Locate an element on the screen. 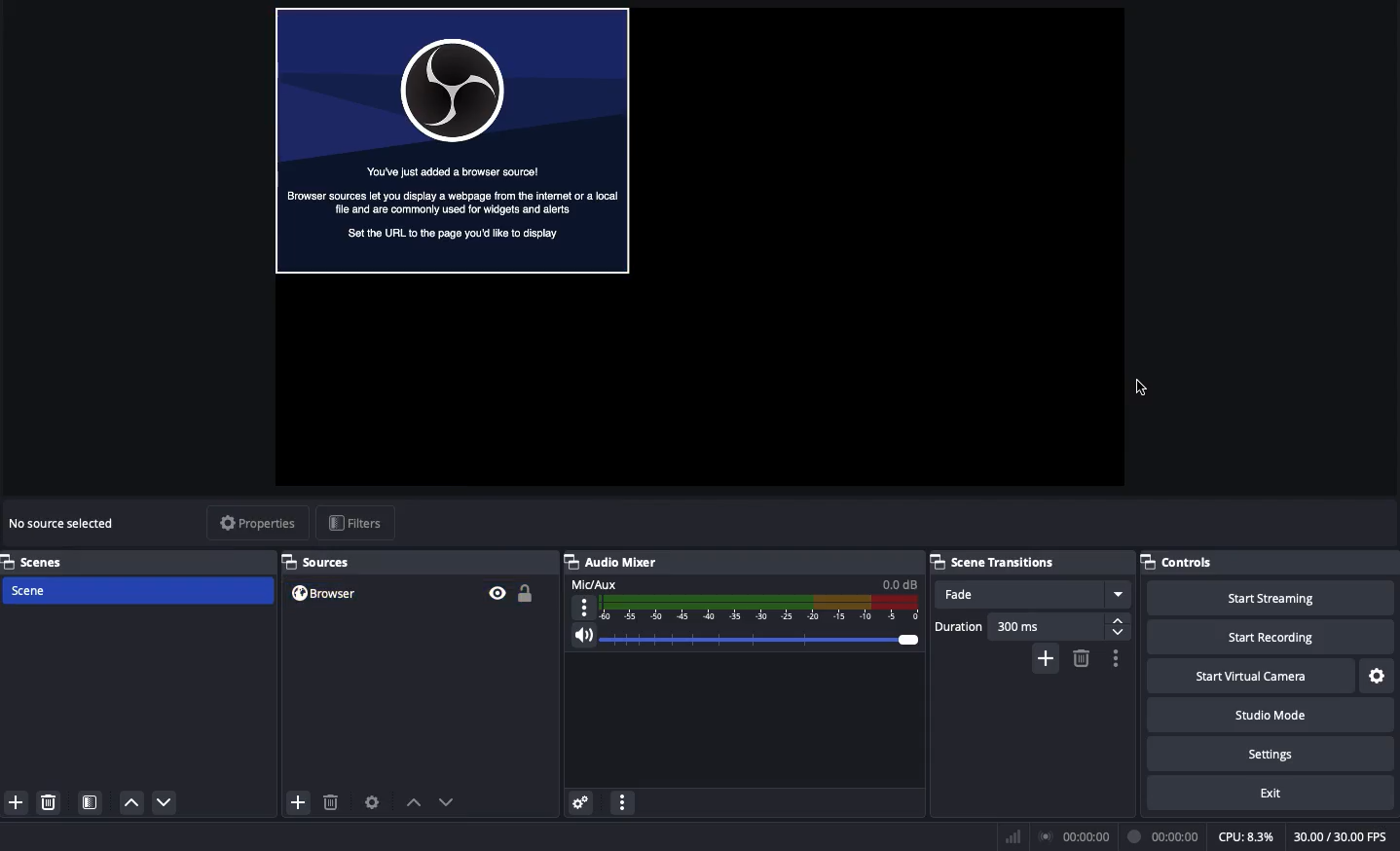  options is located at coordinates (622, 804).